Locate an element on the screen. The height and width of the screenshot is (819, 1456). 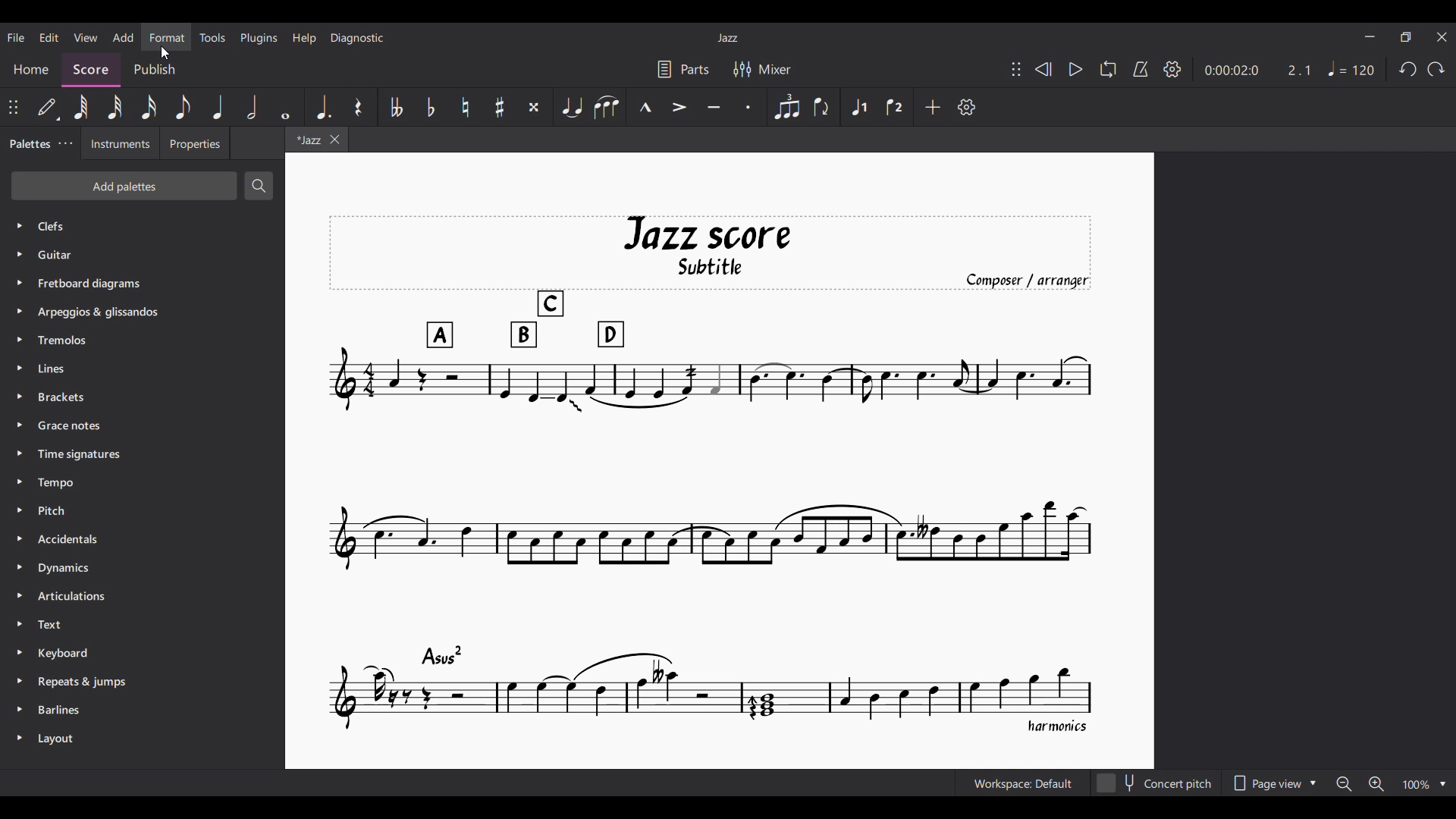
Marcato is located at coordinates (645, 107).